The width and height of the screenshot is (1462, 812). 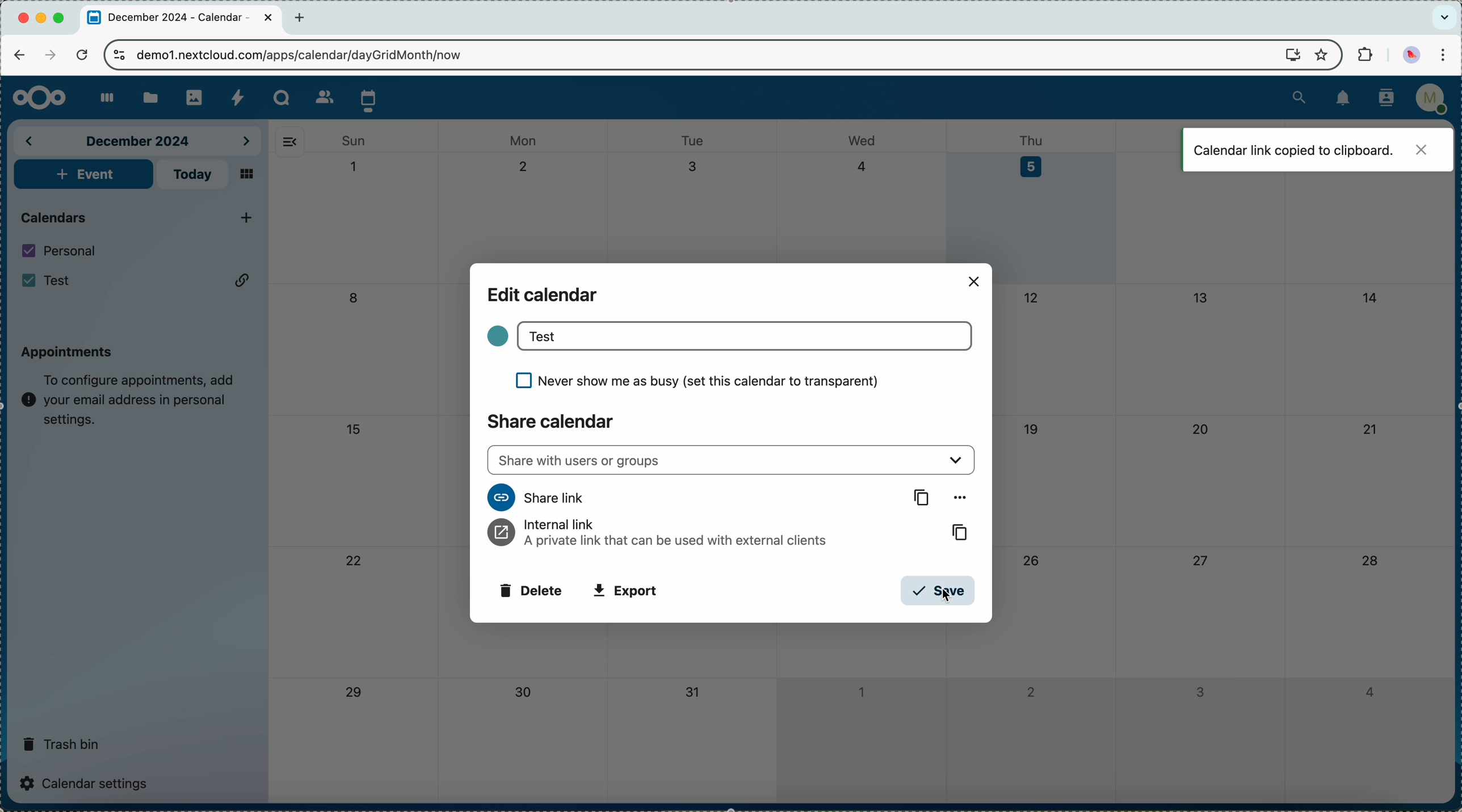 What do you see at coordinates (149, 96) in the screenshot?
I see `files` at bounding box center [149, 96].